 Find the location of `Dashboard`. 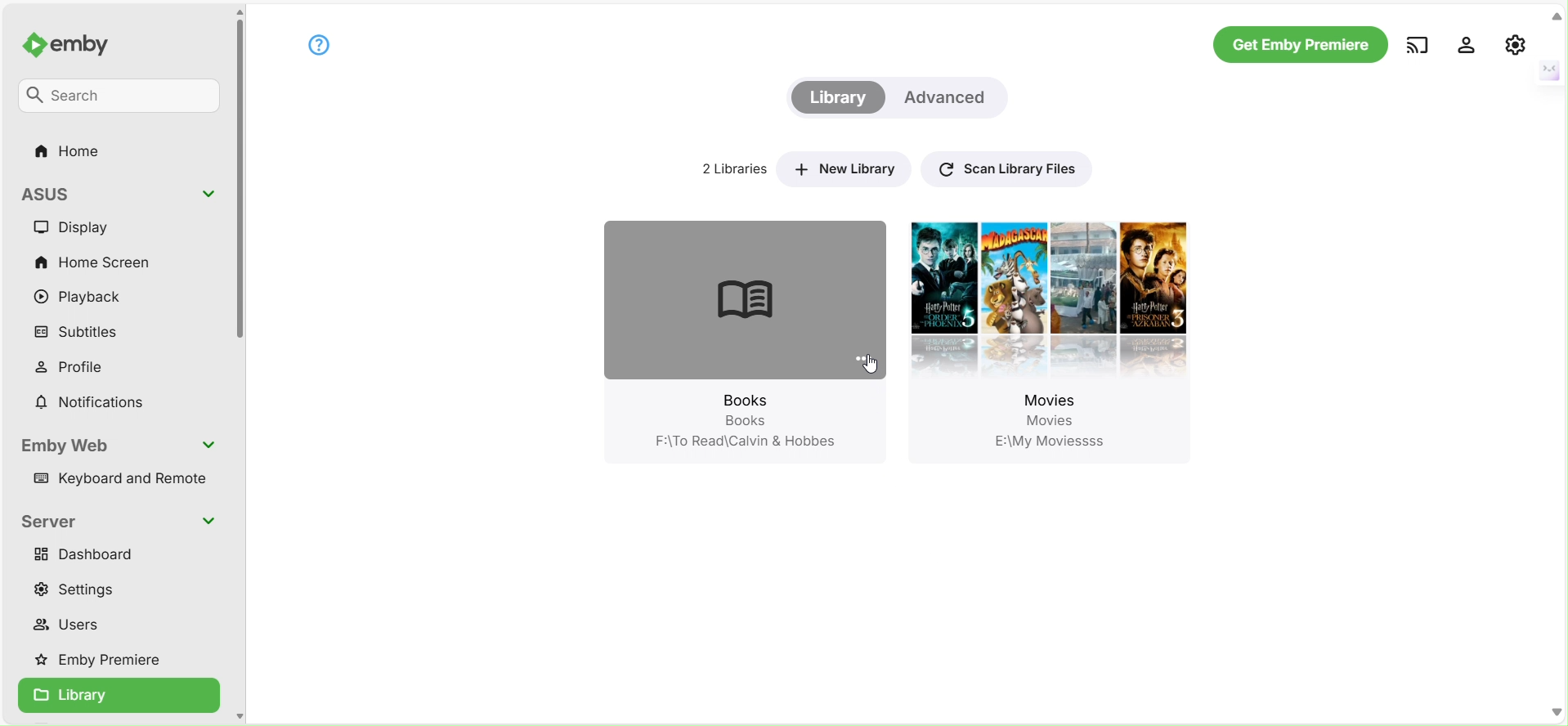

Dashboard is located at coordinates (90, 553).